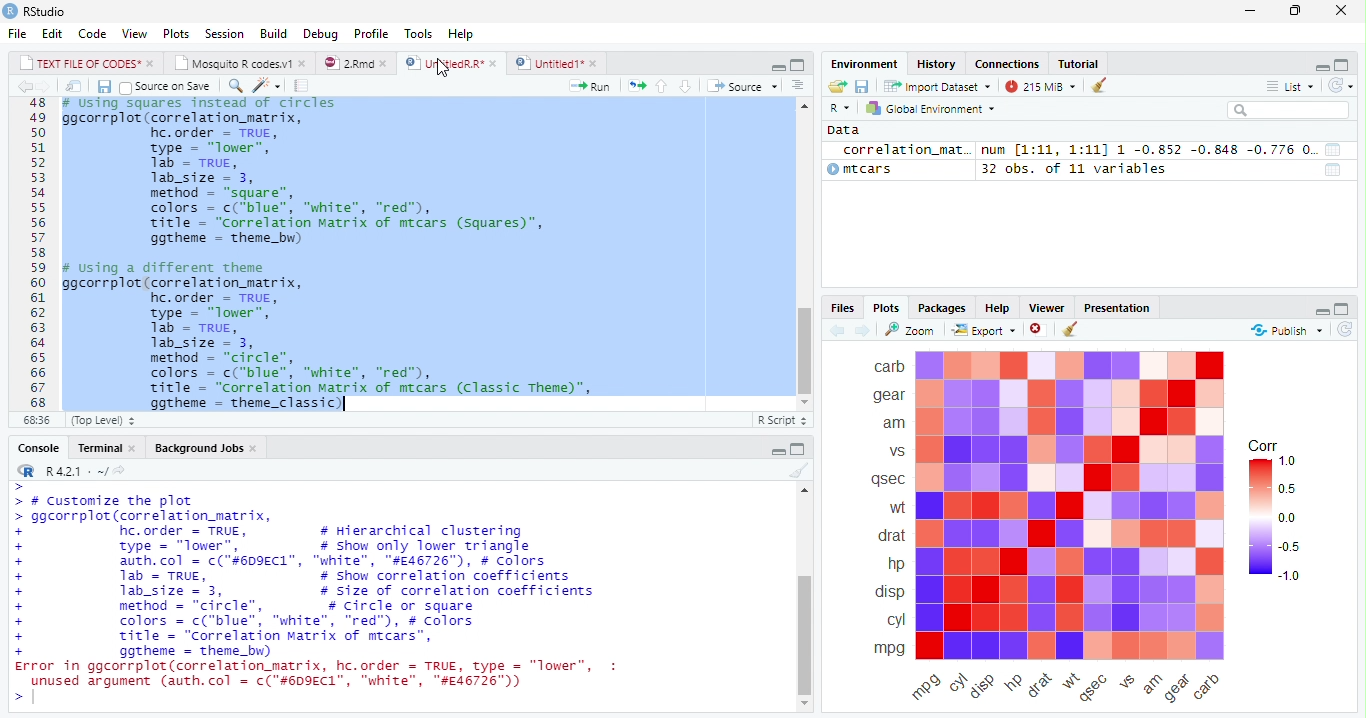 This screenshot has width=1366, height=718. Describe the element at coordinates (1009, 64) in the screenshot. I see `connections` at that location.